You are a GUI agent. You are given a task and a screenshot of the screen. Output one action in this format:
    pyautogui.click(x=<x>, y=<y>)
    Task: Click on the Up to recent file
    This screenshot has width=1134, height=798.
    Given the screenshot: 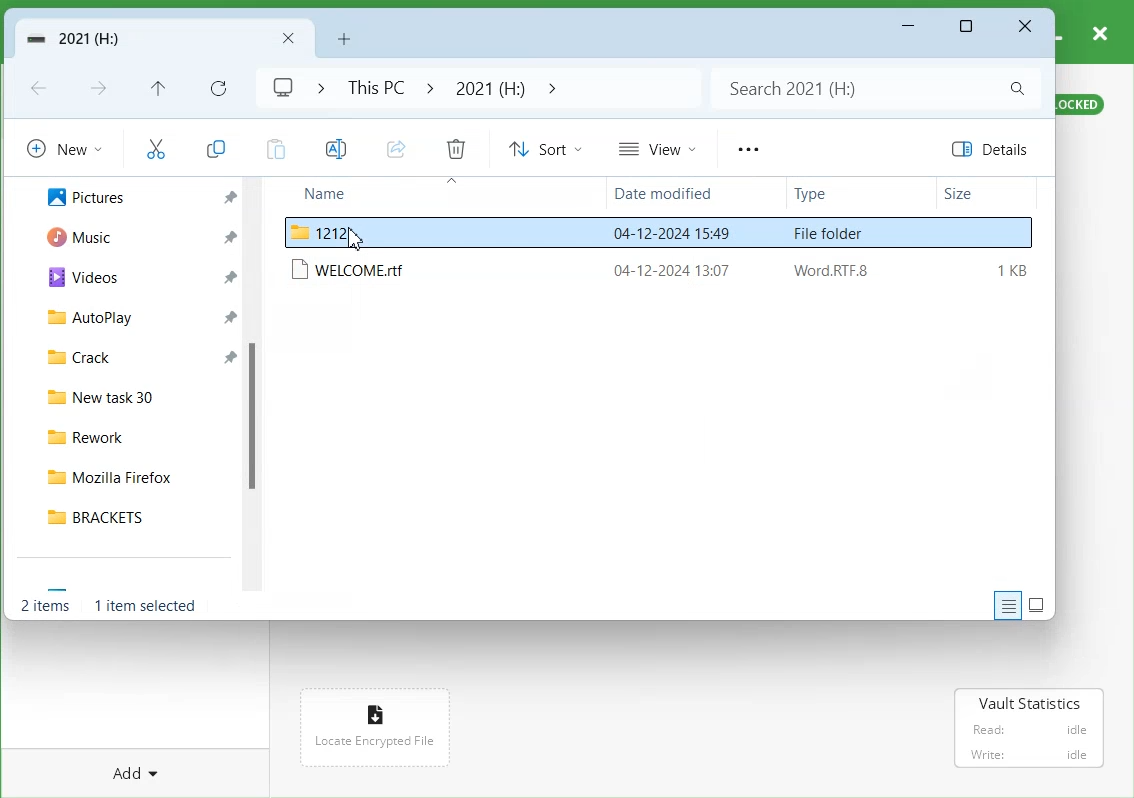 What is the action you would take?
    pyautogui.click(x=157, y=88)
    